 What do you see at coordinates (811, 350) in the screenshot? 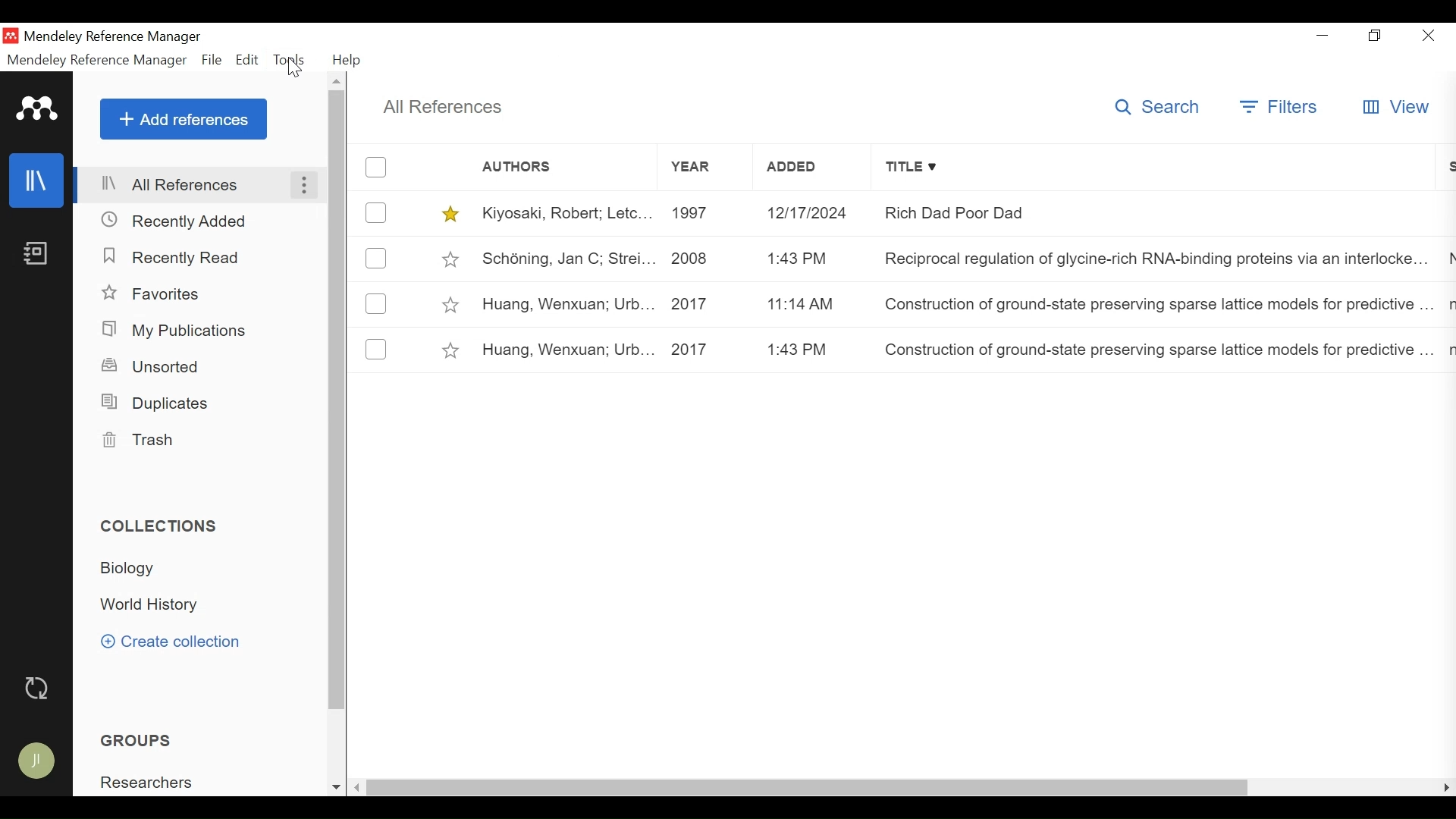
I see `1:43 pm` at bounding box center [811, 350].